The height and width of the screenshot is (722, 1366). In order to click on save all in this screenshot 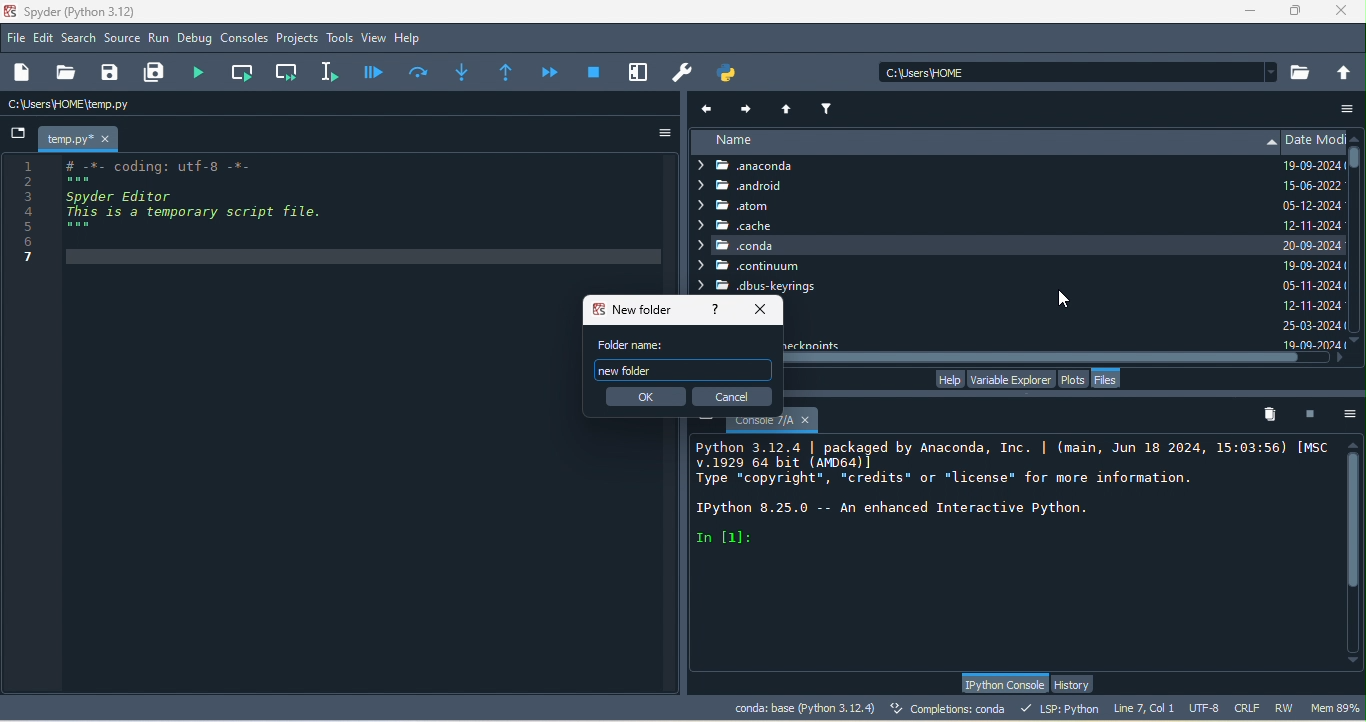, I will do `click(158, 73)`.